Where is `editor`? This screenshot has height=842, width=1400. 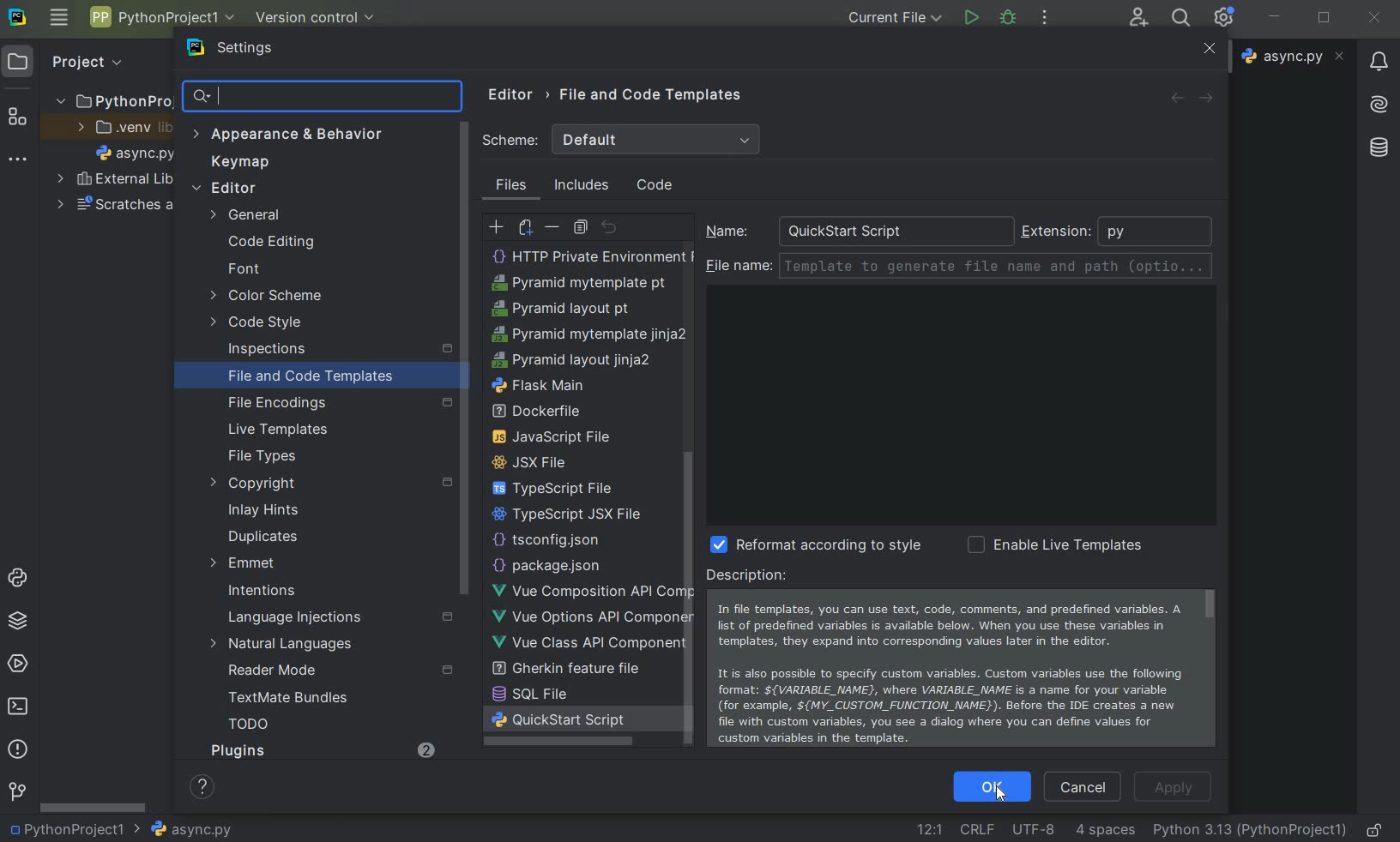
editor is located at coordinates (221, 187).